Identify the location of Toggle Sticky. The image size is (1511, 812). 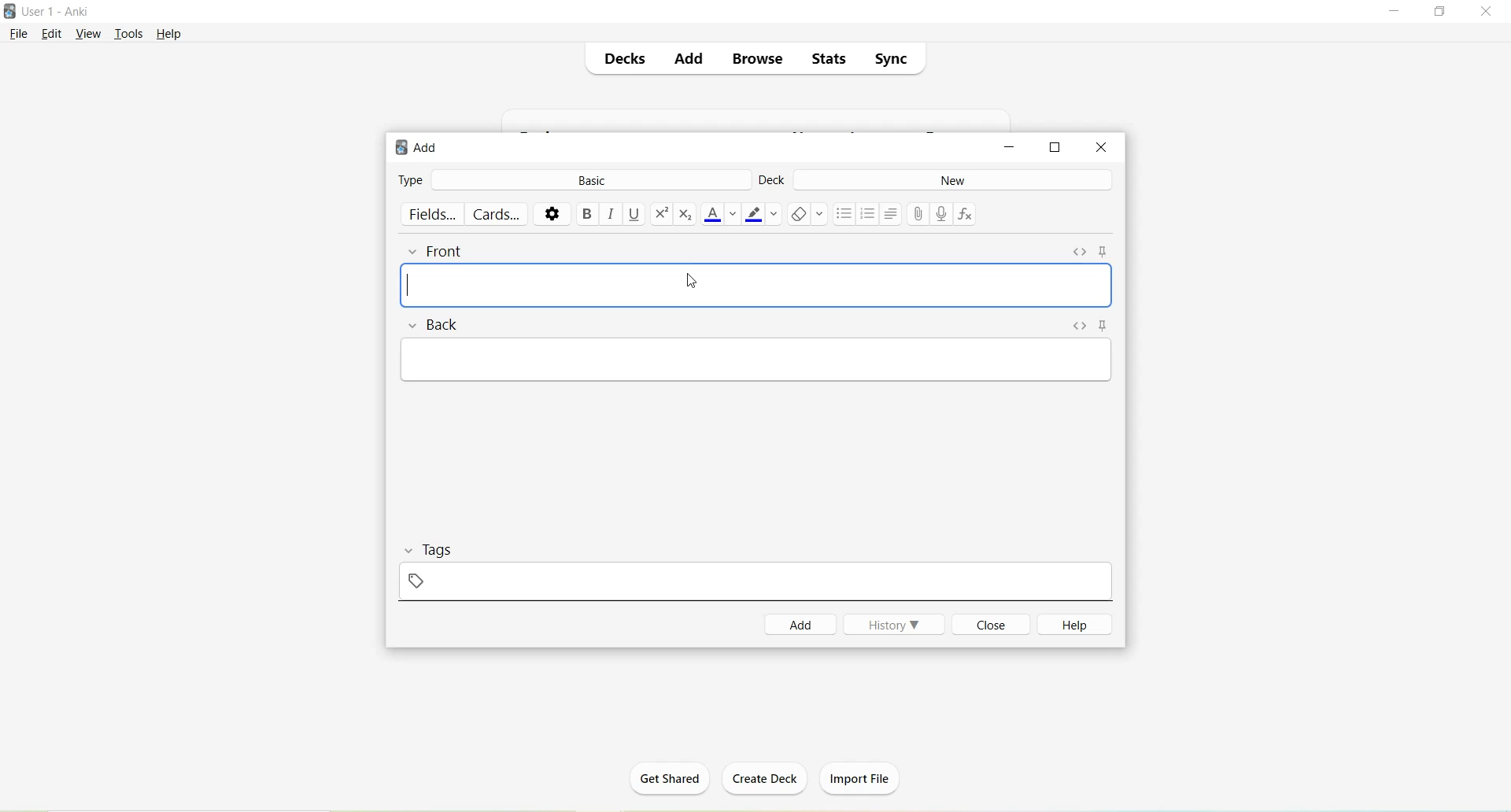
(1109, 327).